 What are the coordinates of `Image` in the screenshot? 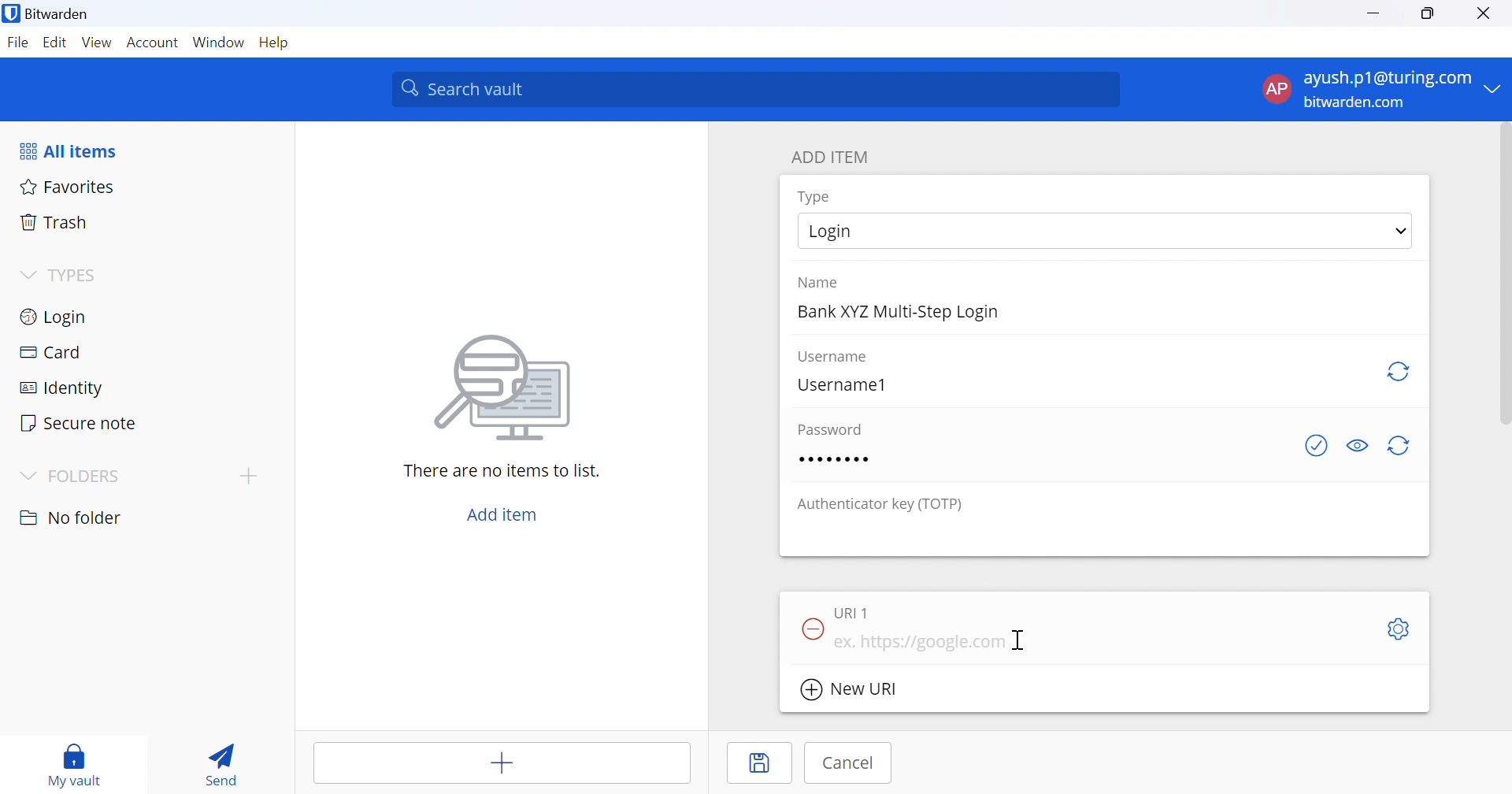 It's located at (505, 388).